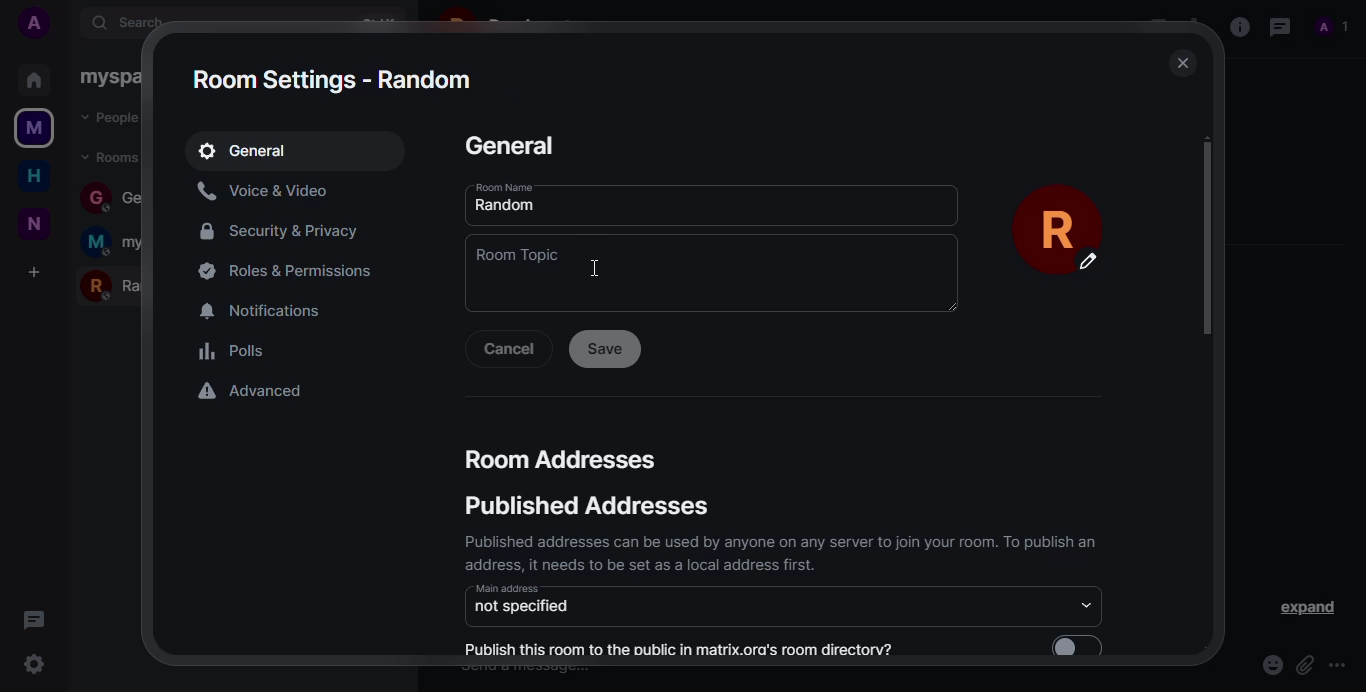 This screenshot has width=1366, height=692. Describe the element at coordinates (35, 271) in the screenshot. I see `add` at that location.